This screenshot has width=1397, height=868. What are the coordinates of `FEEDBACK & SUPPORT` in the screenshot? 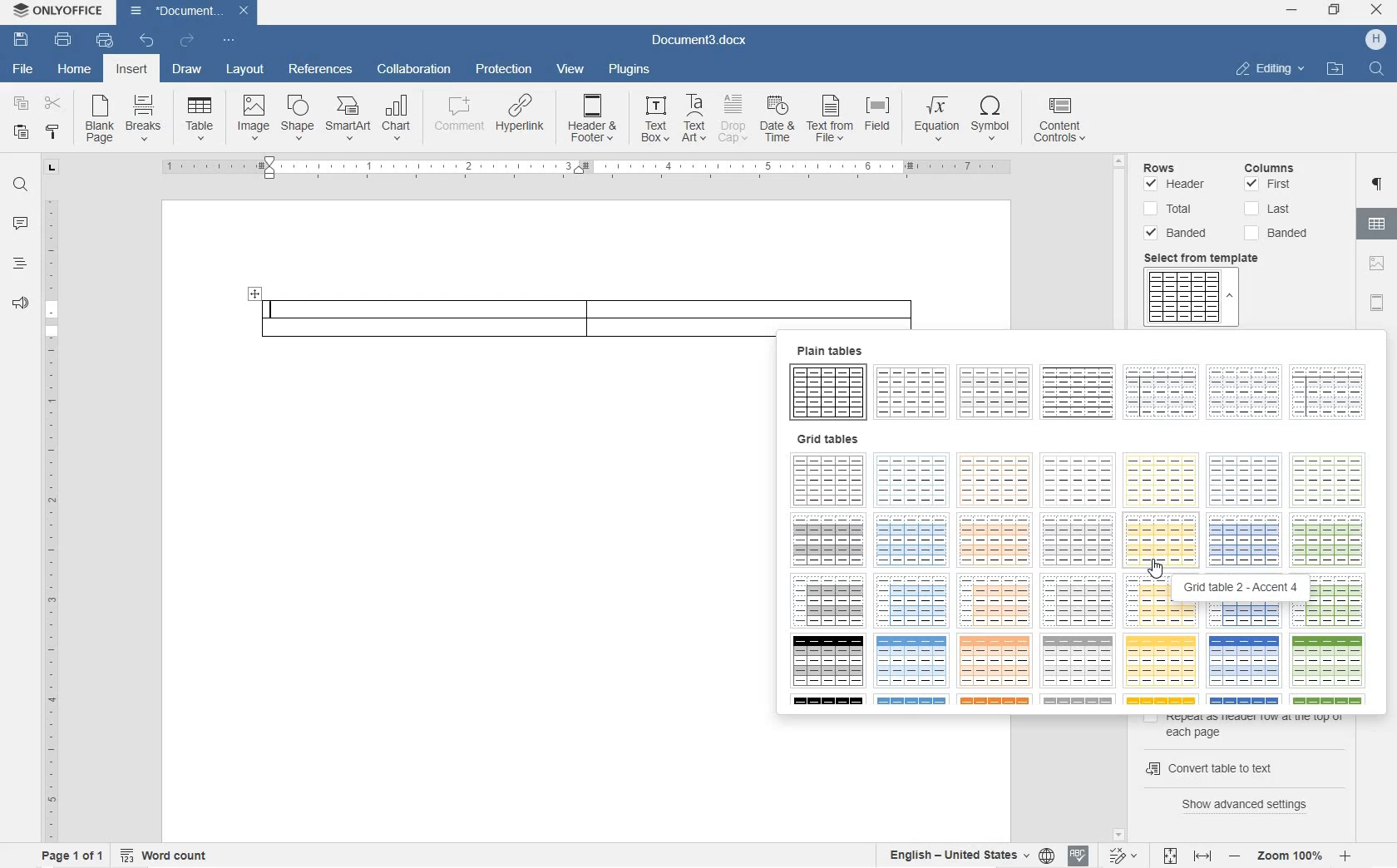 It's located at (17, 303).